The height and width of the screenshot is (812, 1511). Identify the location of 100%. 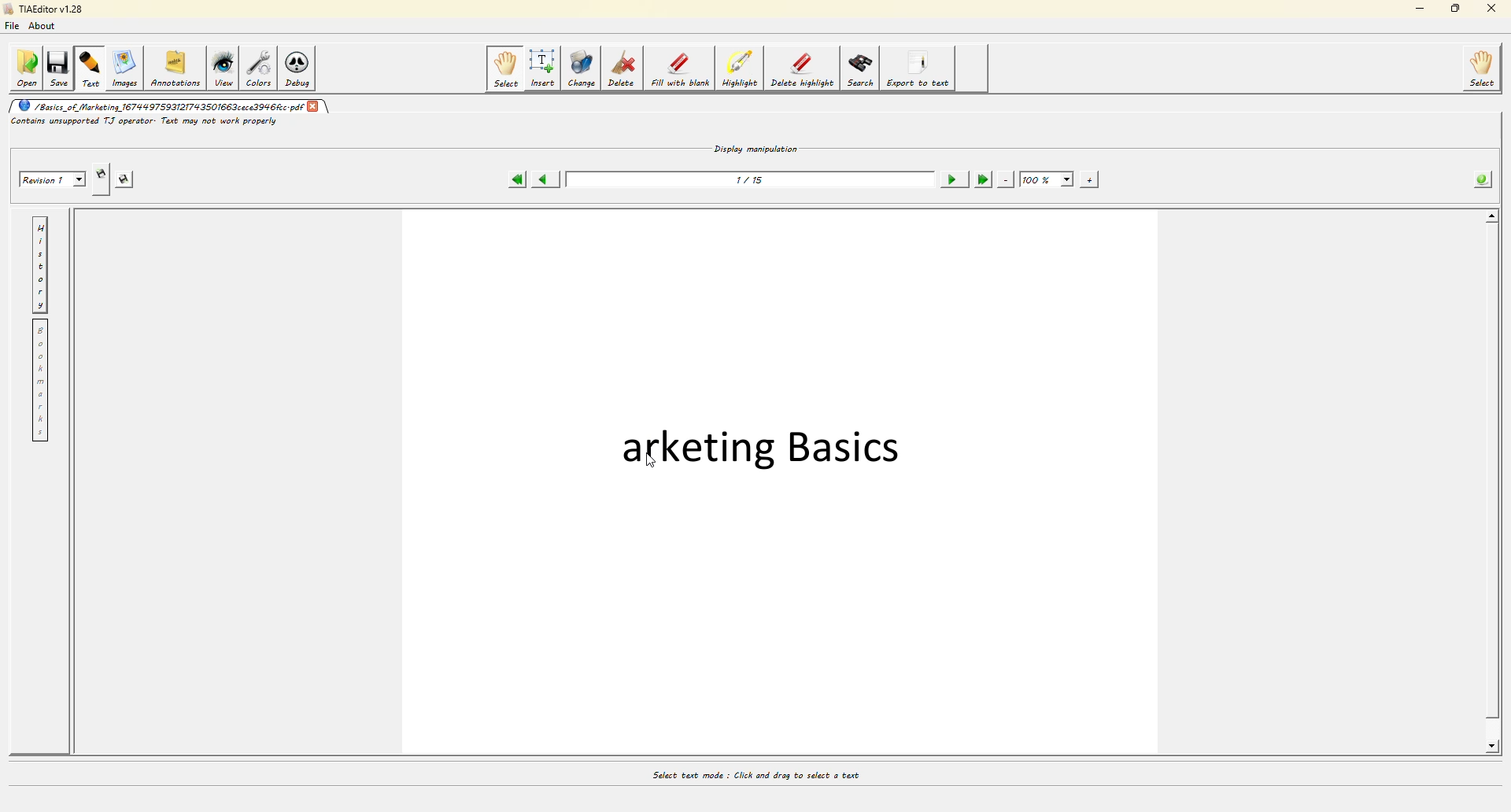
(1046, 176).